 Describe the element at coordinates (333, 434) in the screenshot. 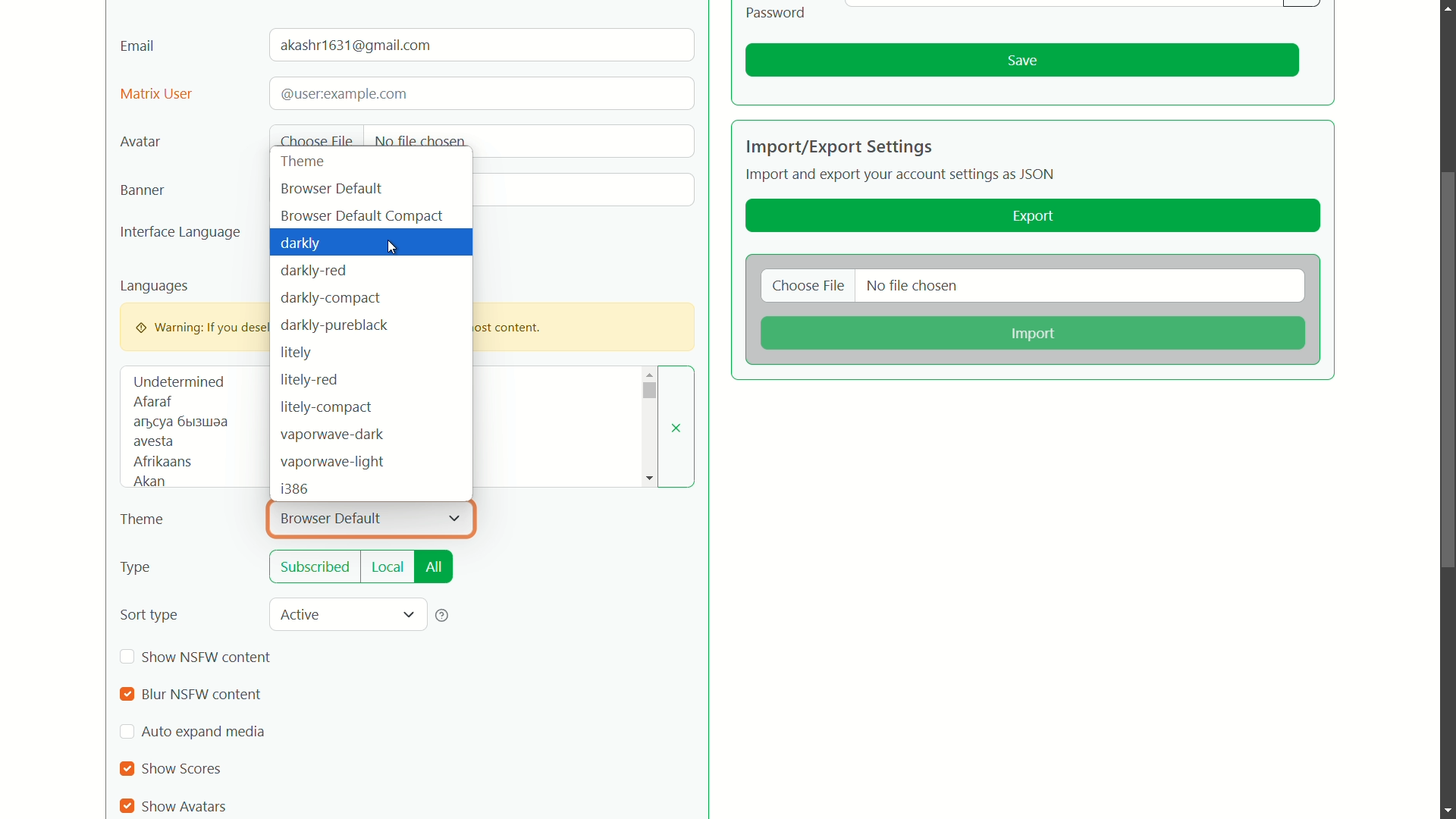

I see `vaporwave dark` at that location.